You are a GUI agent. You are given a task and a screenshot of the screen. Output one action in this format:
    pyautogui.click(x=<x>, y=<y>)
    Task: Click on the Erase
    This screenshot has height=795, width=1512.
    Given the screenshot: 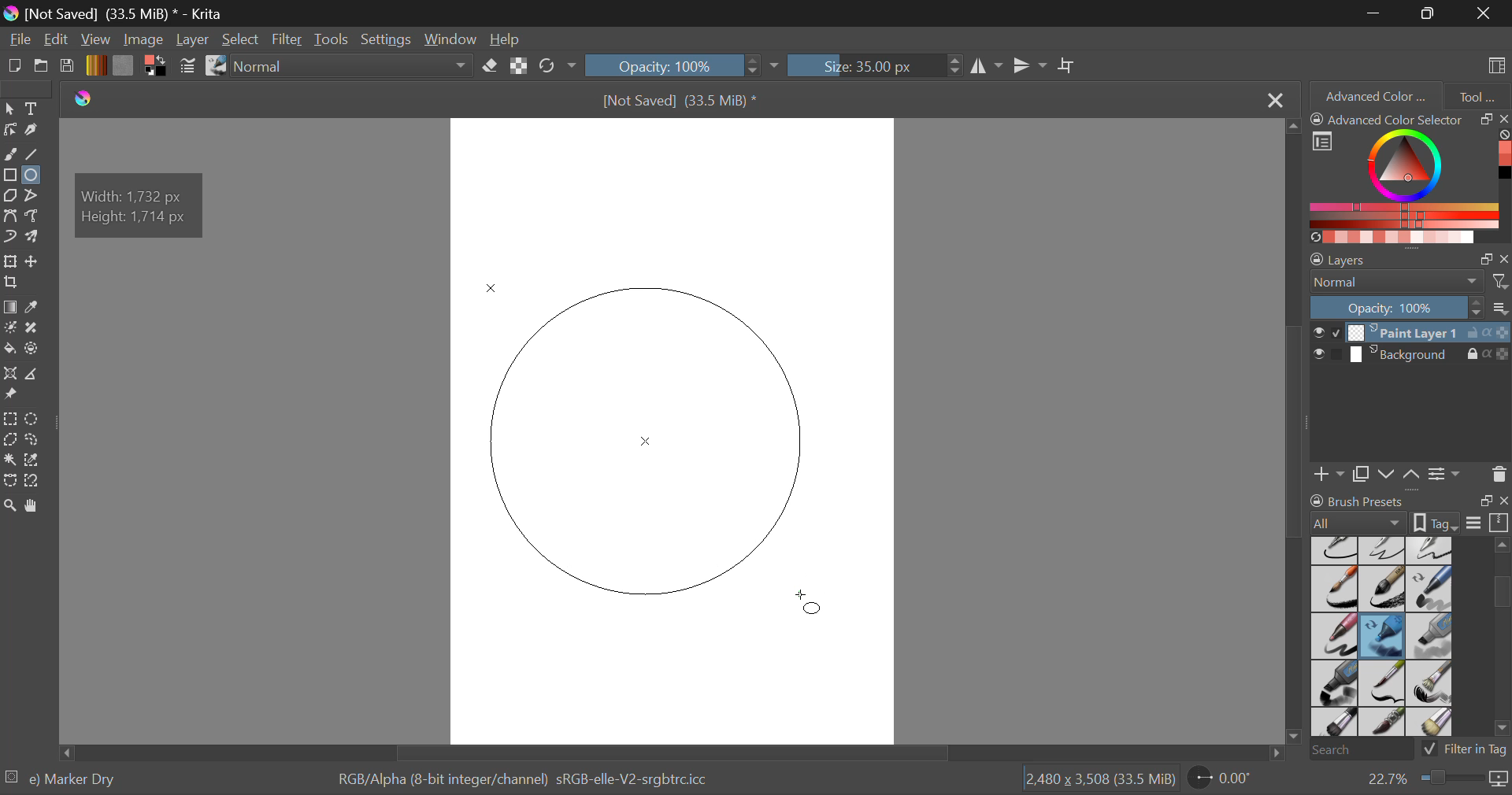 What is the action you would take?
    pyautogui.click(x=493, y=68)
    